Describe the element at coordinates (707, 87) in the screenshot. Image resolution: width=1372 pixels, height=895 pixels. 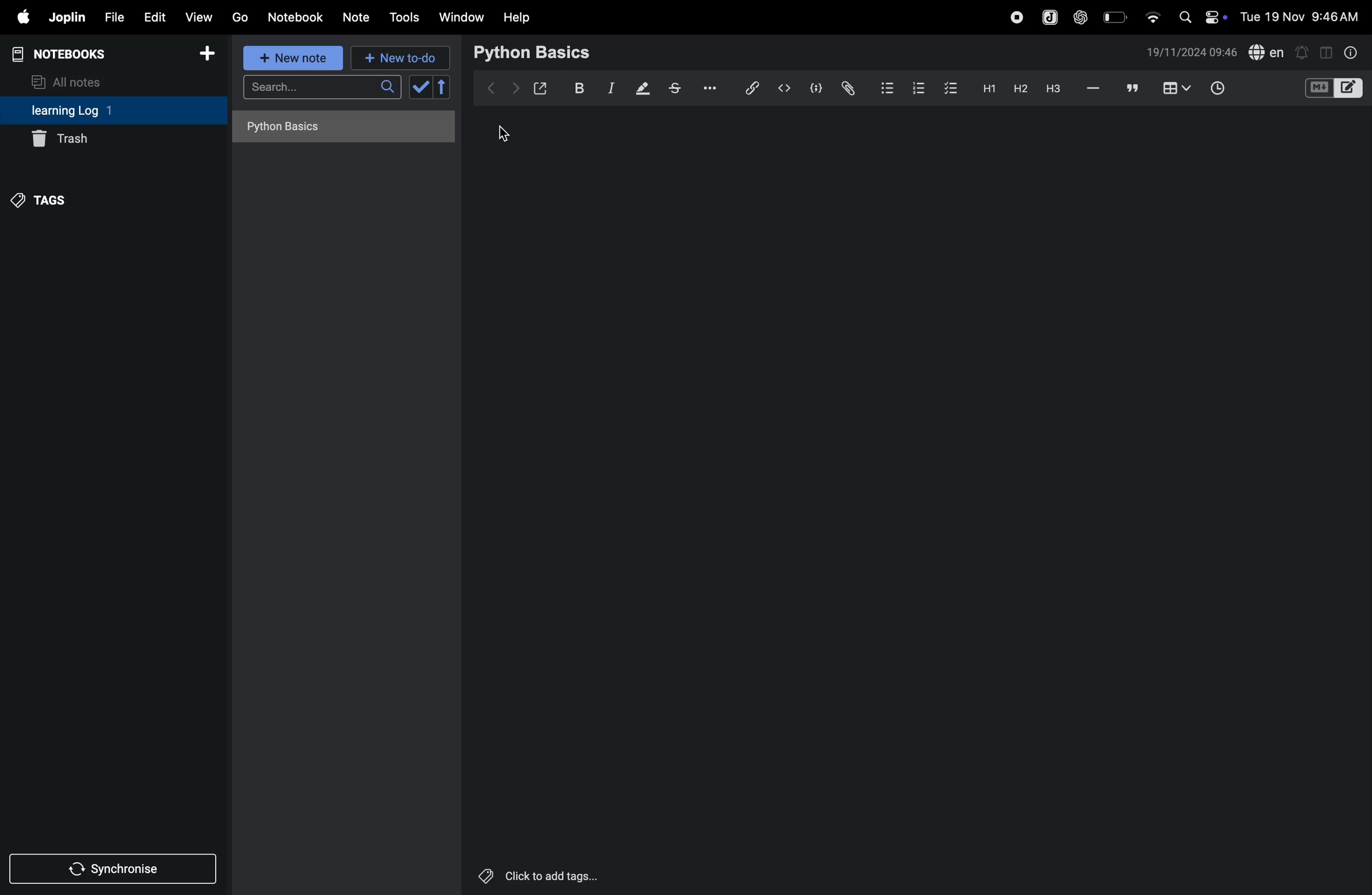
I see `options` at that location.